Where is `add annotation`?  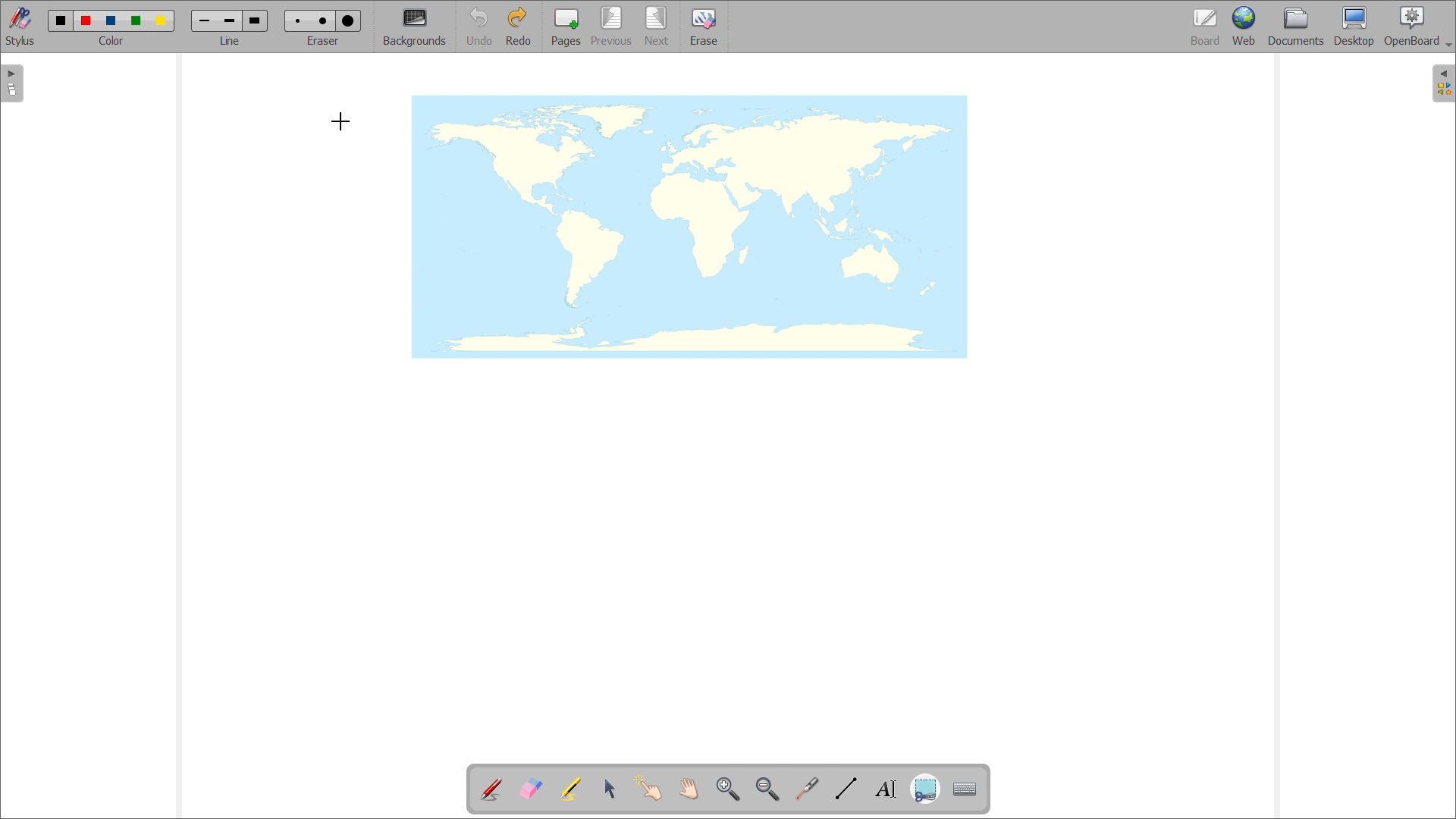 add annotation is located at coordinates (490, 787).